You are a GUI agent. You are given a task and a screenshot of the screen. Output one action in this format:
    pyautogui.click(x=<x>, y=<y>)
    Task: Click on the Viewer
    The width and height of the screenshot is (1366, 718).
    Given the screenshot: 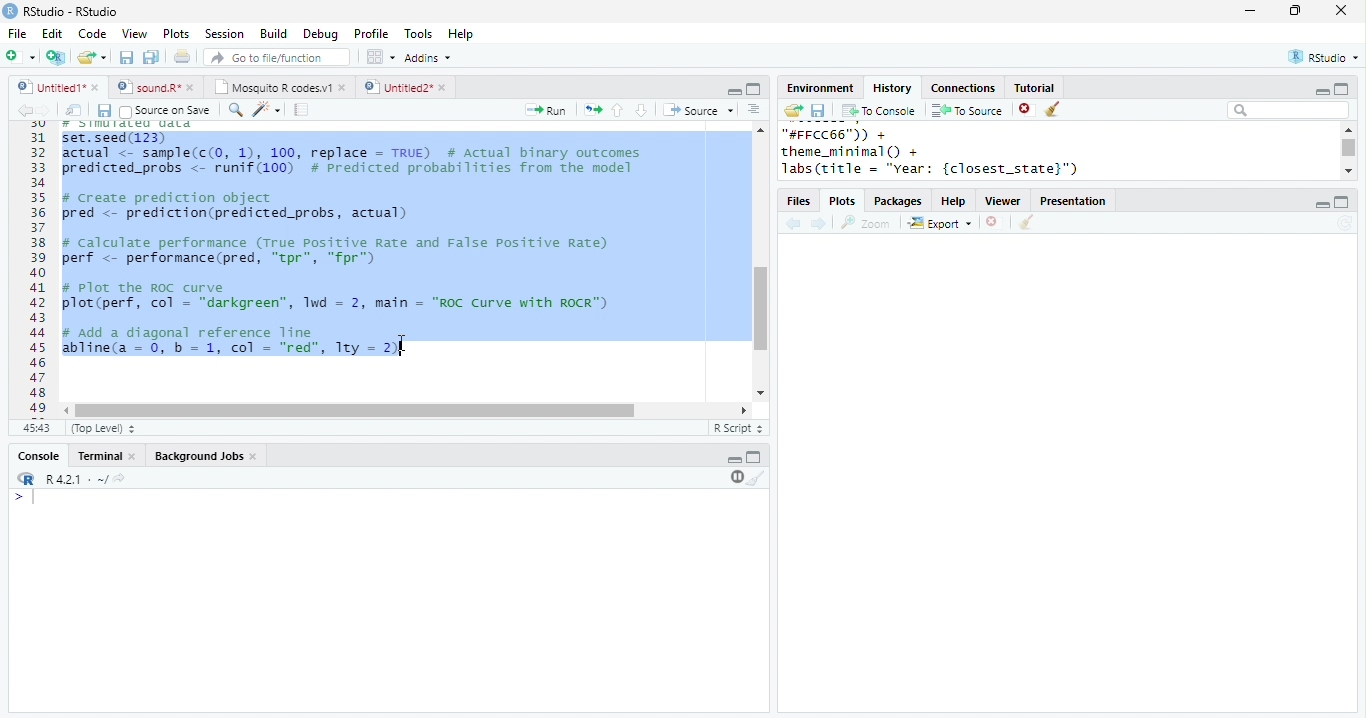 What is the action you would take?
    pyautogui.click(x=1004, y=202)
    